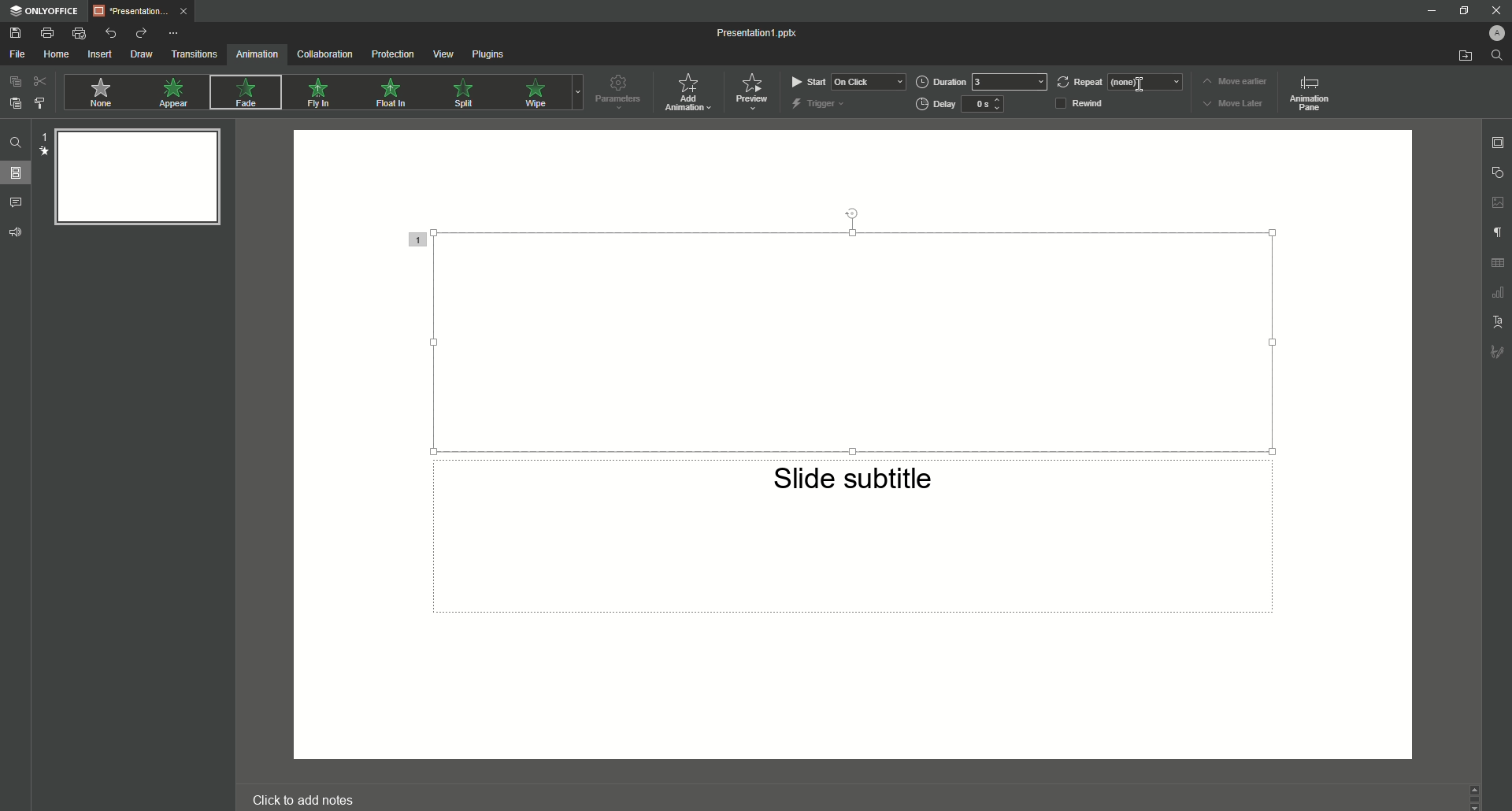 The image size is (1512, 811). Describe the element at coordinates (984, 81) in the screenshot. I see `Duration` at that location.